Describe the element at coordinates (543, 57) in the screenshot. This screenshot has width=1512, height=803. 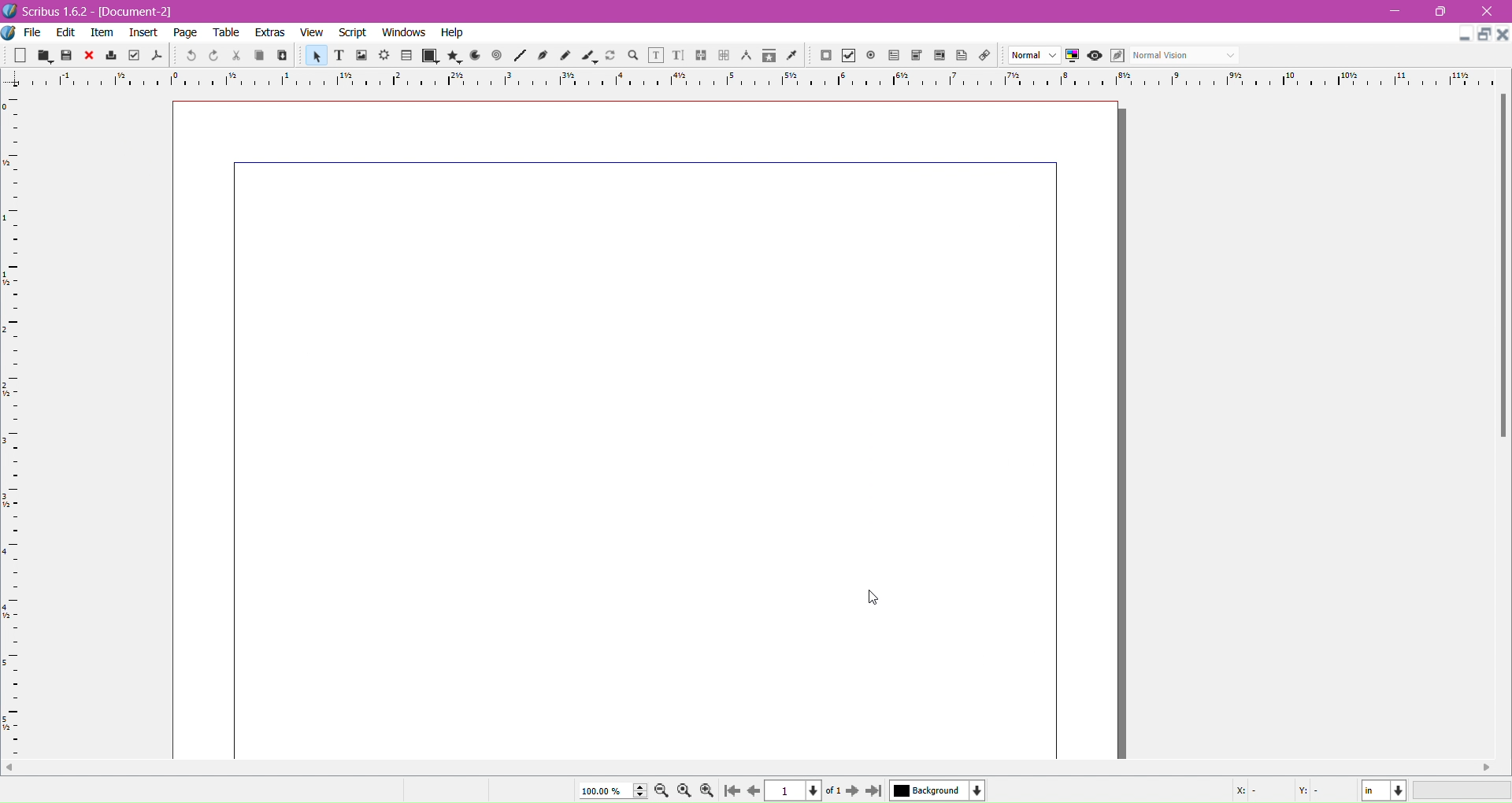
I see `icon` at that location.